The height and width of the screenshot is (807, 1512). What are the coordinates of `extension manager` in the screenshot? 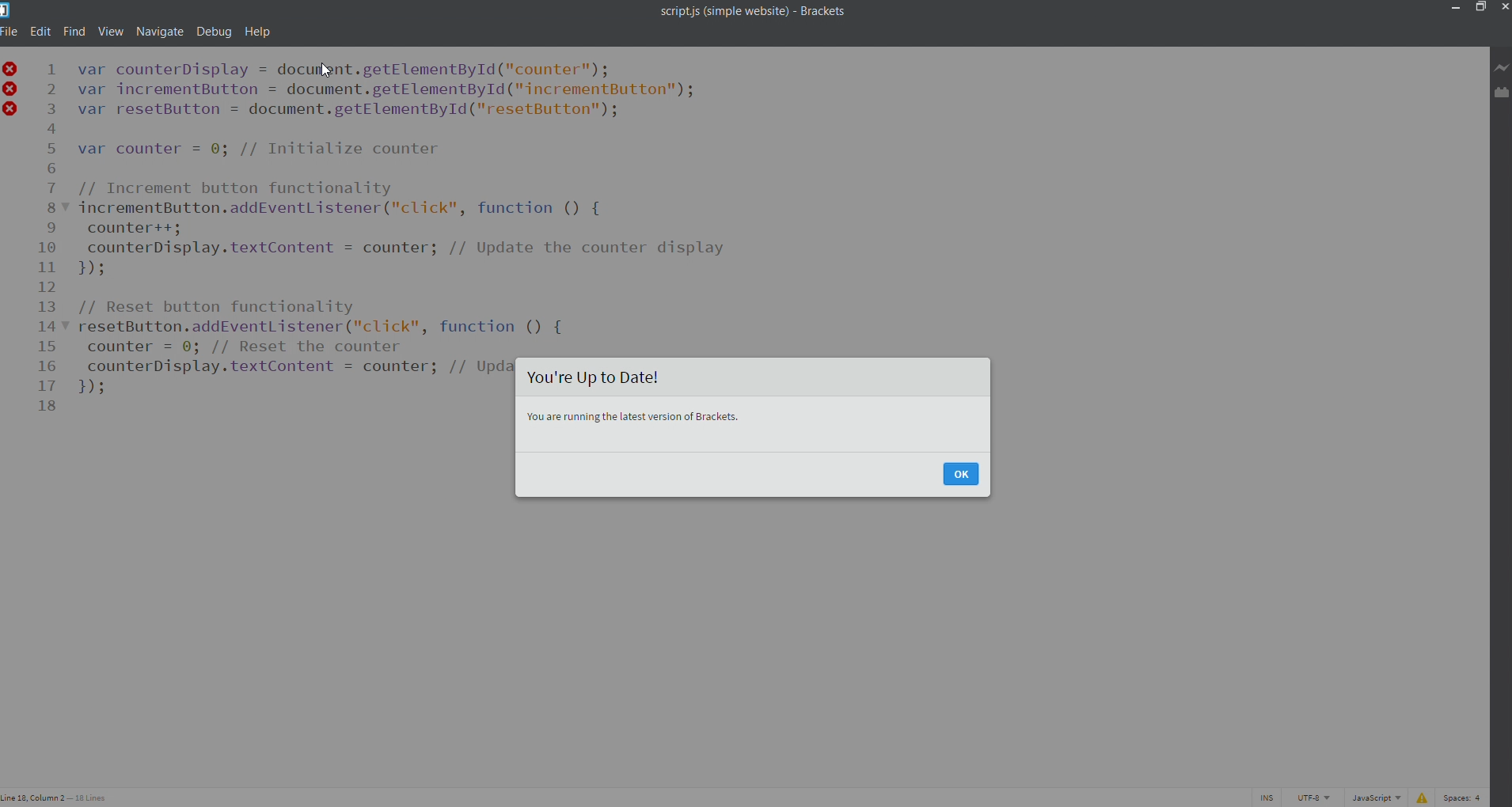 It's located at (1501, 94).